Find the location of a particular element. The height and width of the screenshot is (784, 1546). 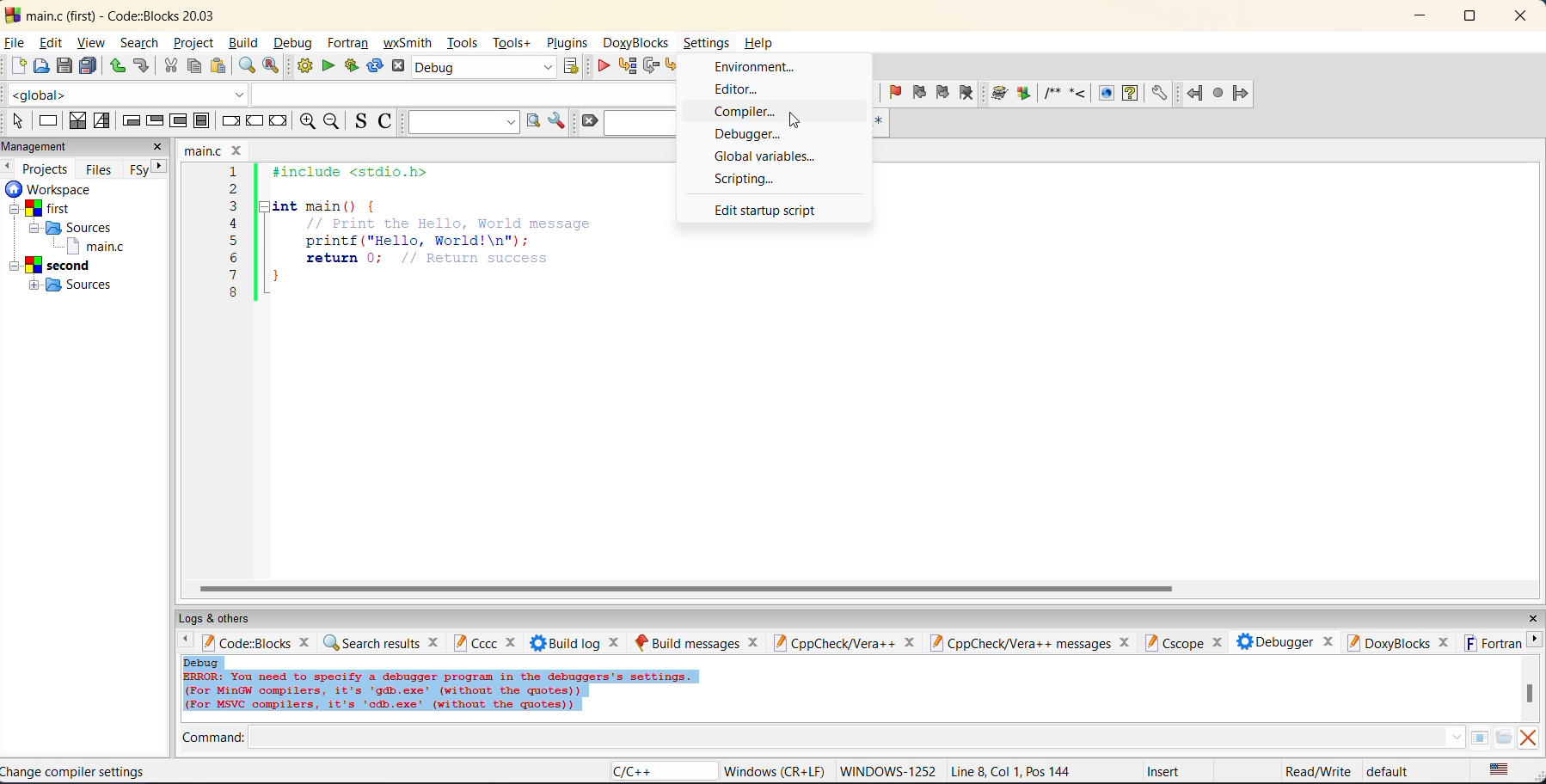

global is located at coordinates (129, 95).